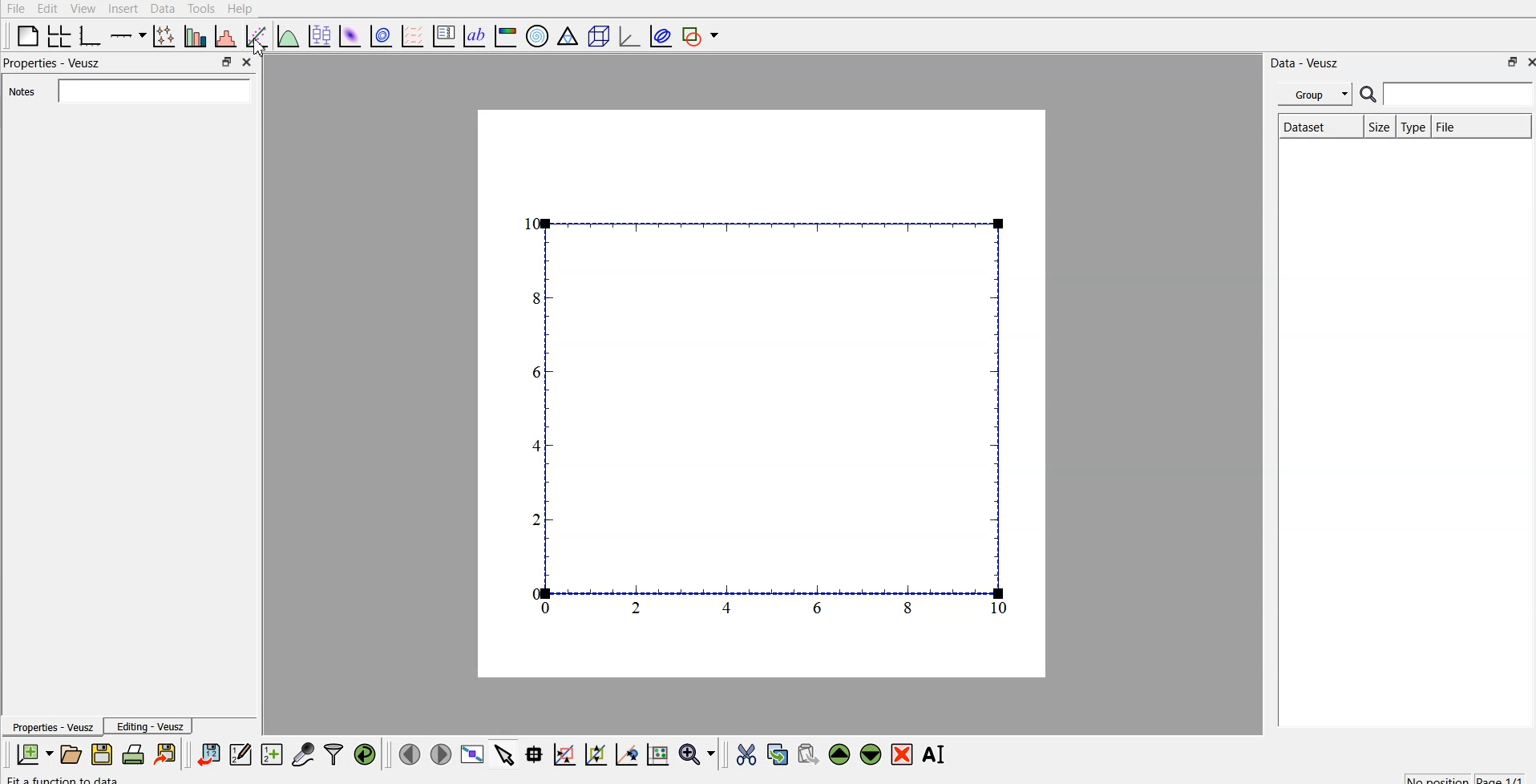 The width and height of the screenshot is (1536, 784). I want to click on previous page , so click(409, 755).